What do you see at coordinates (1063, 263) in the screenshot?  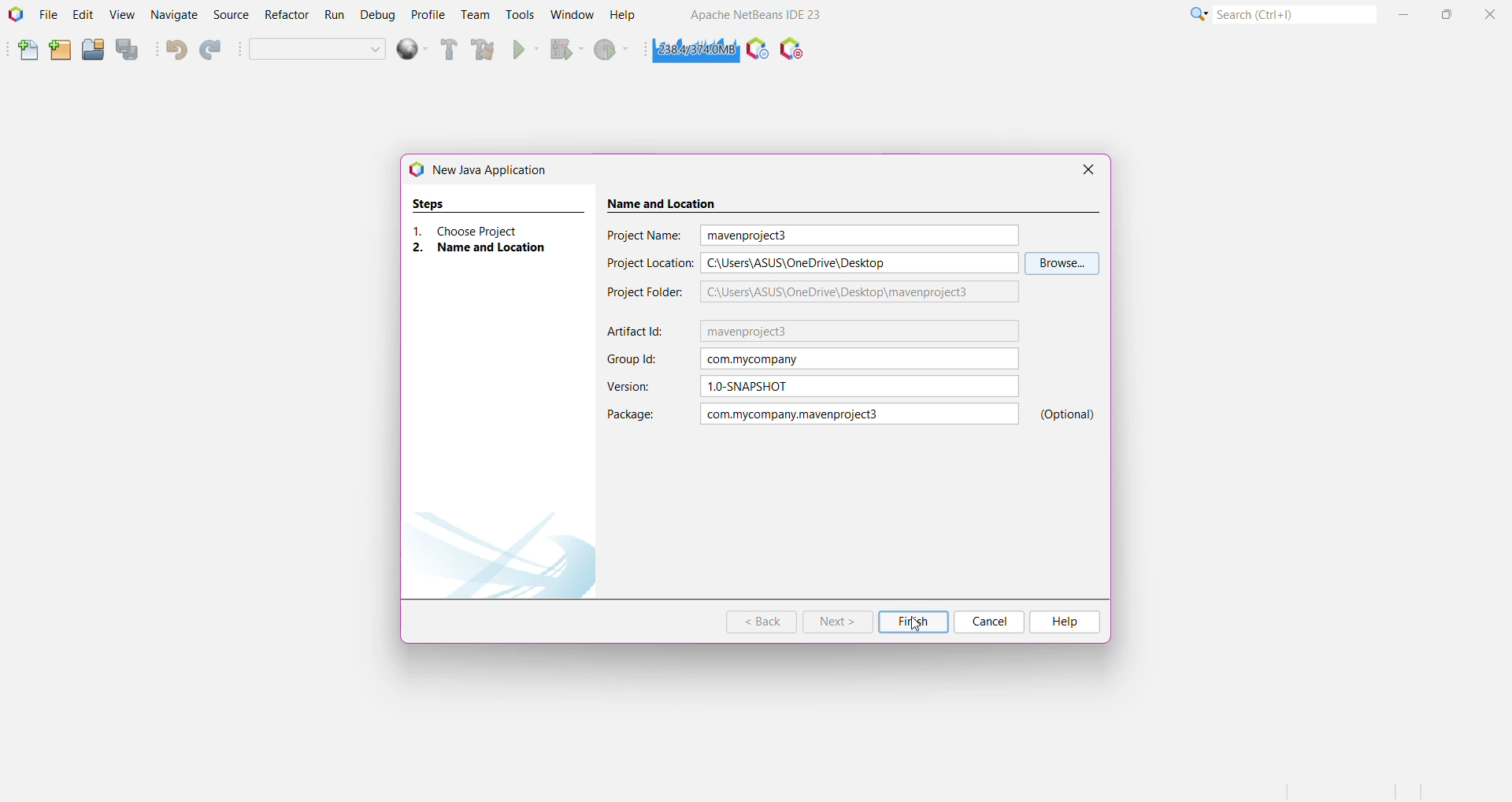 I see `Browse to select a required location` at bounding box center [1063, 263].